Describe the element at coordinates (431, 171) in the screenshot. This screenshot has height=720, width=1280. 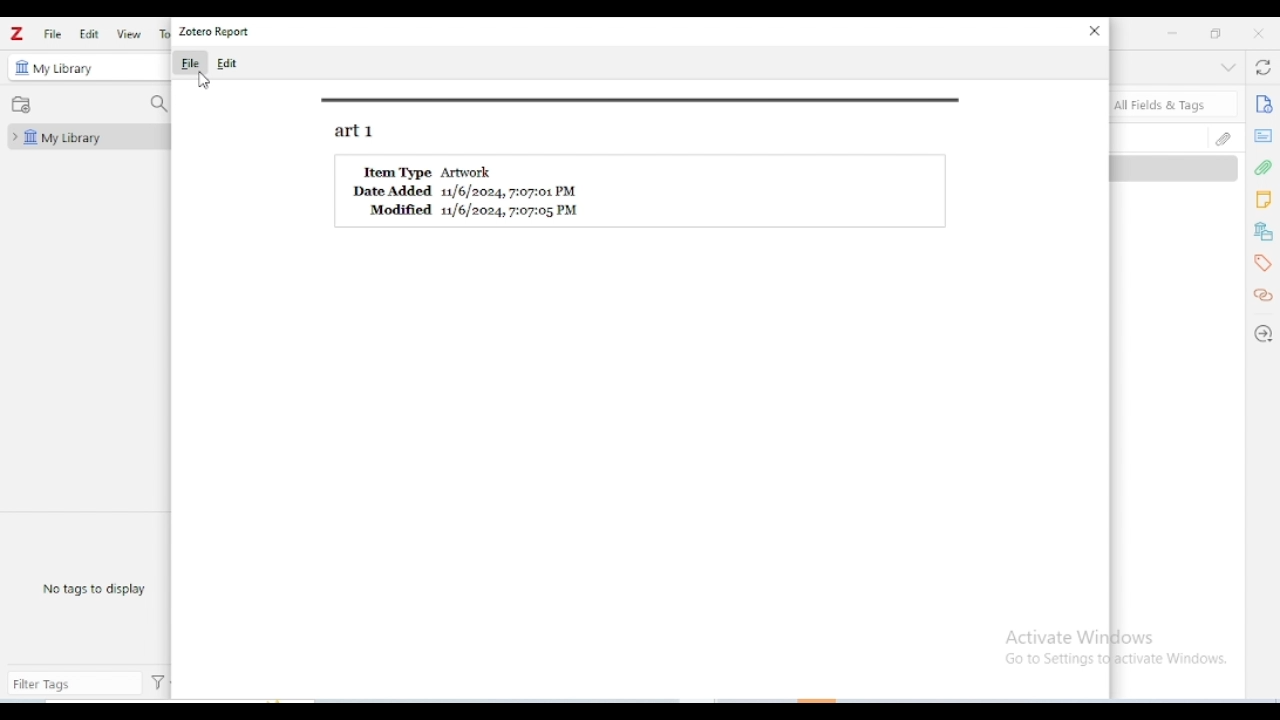
I see `Item Type Artwork` at that location.